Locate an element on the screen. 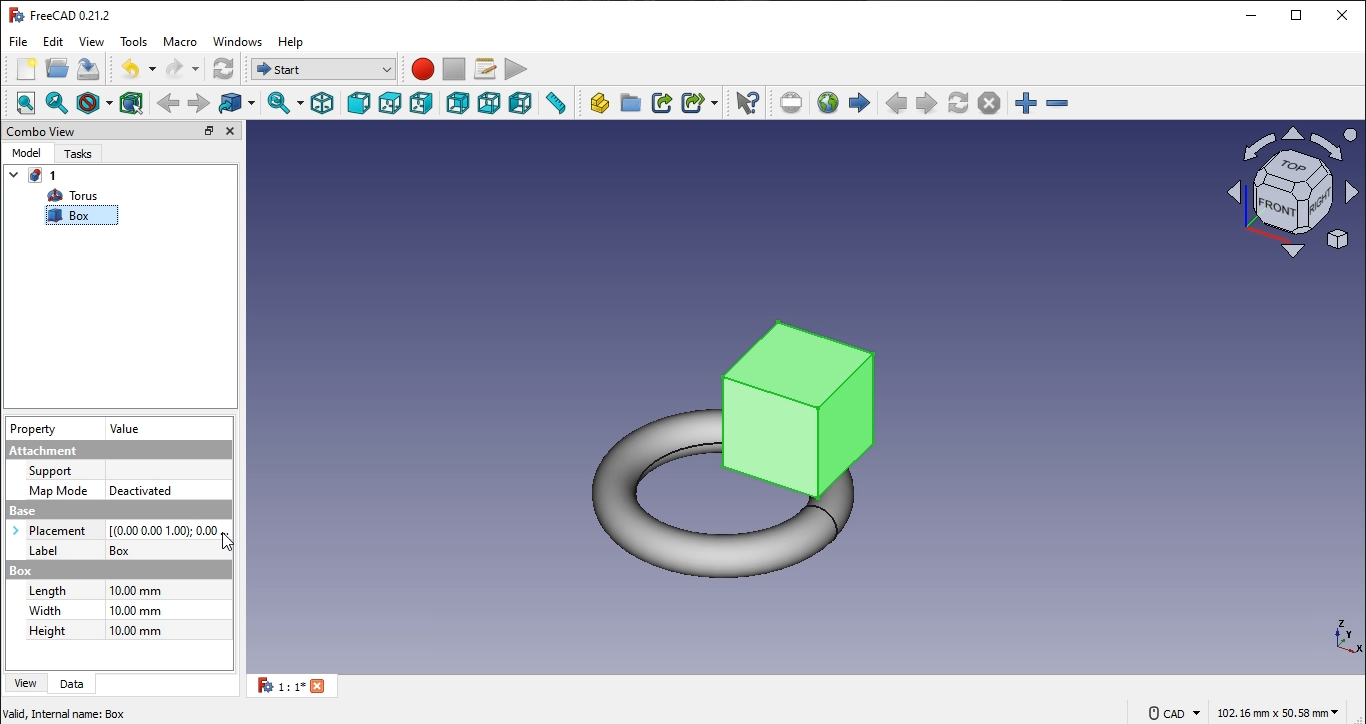  stop macro recording is located at coordinates (453, 70).